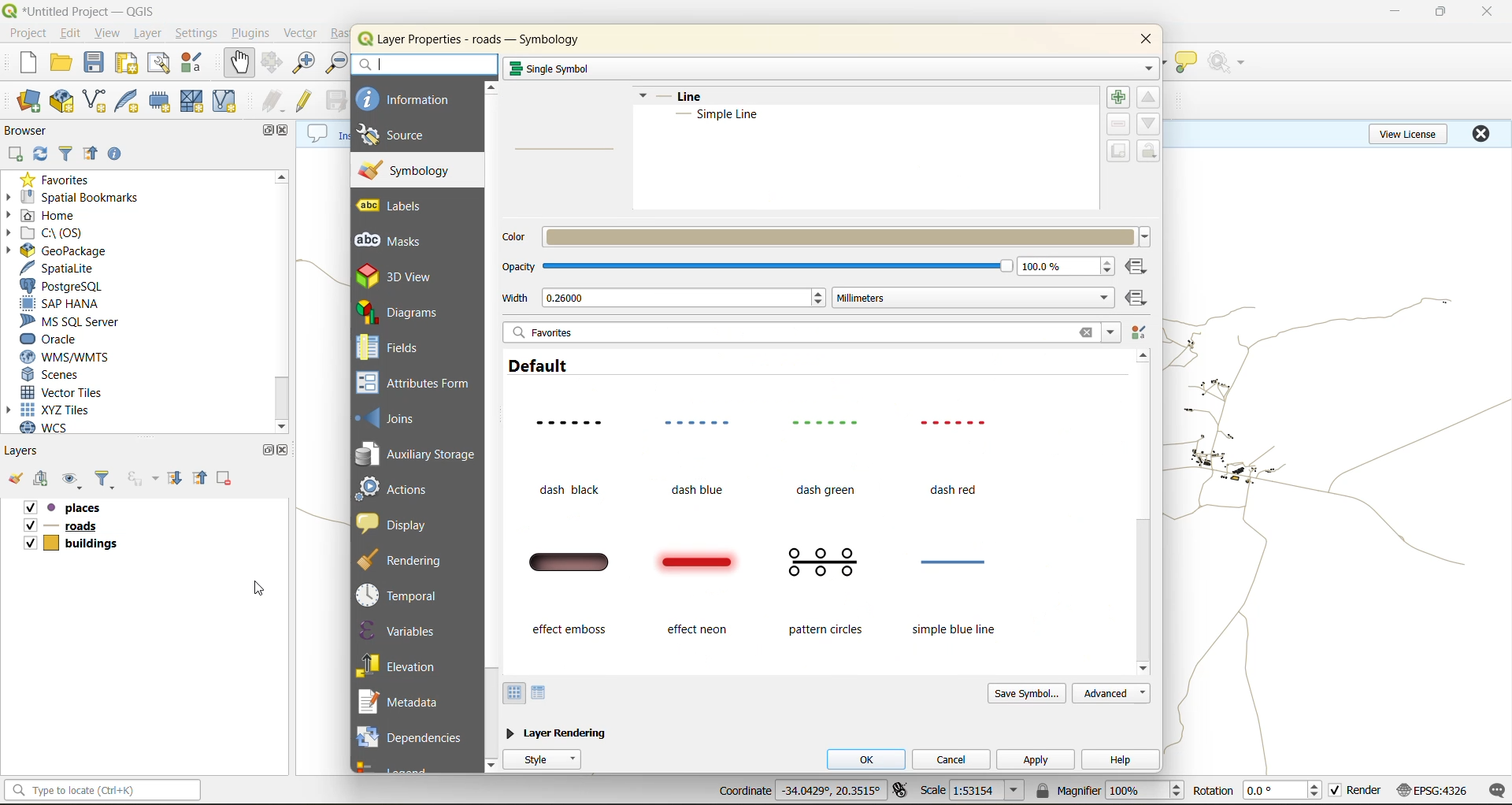 The height and width of the screenshot is (805, 1512). What do you see at coordinates (409, 382) in the screenshot?
I see `attributes form` at bounding box center [409, 382].